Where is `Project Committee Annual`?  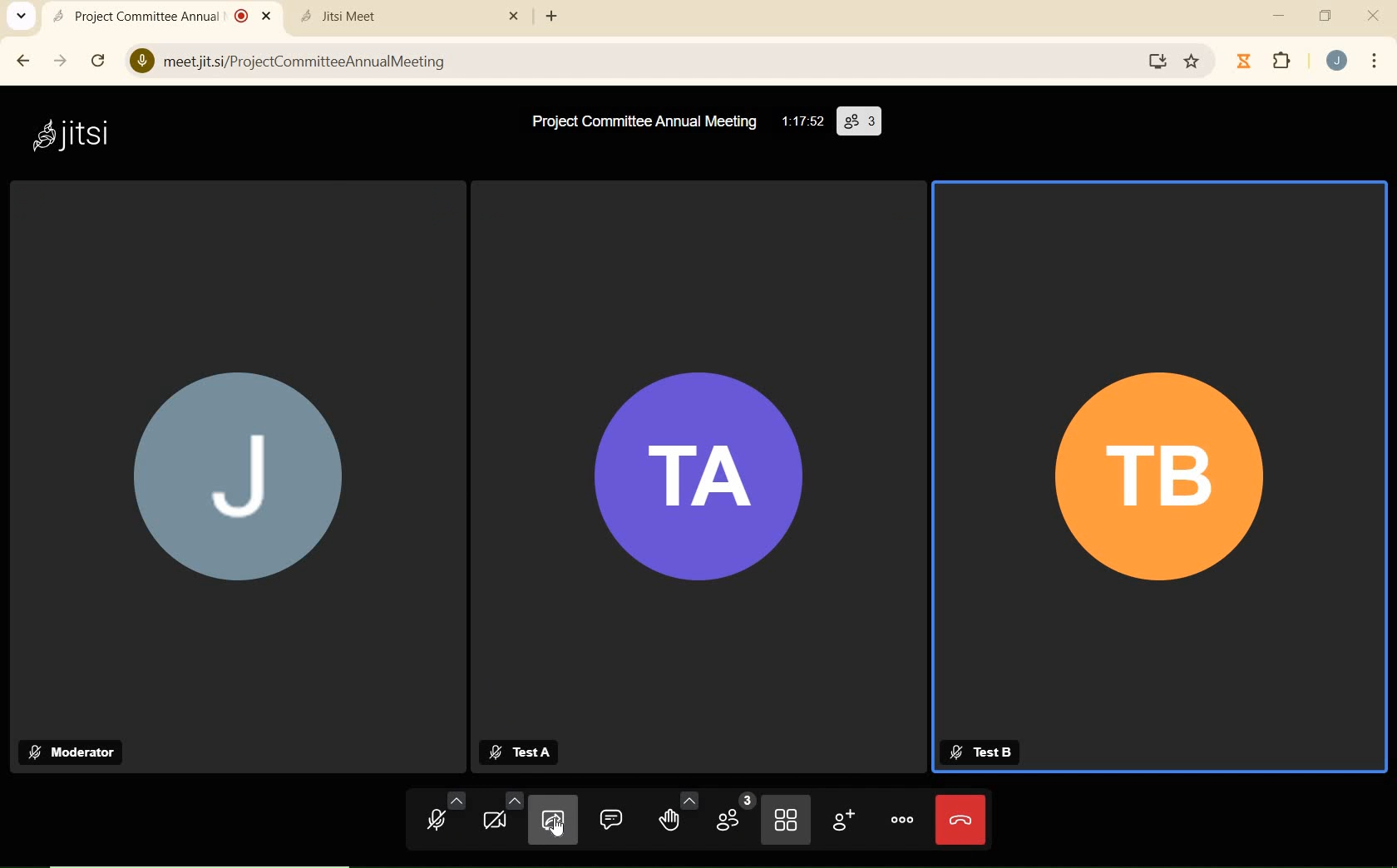 Project Committee Annual is located at coordinates (160, 15).